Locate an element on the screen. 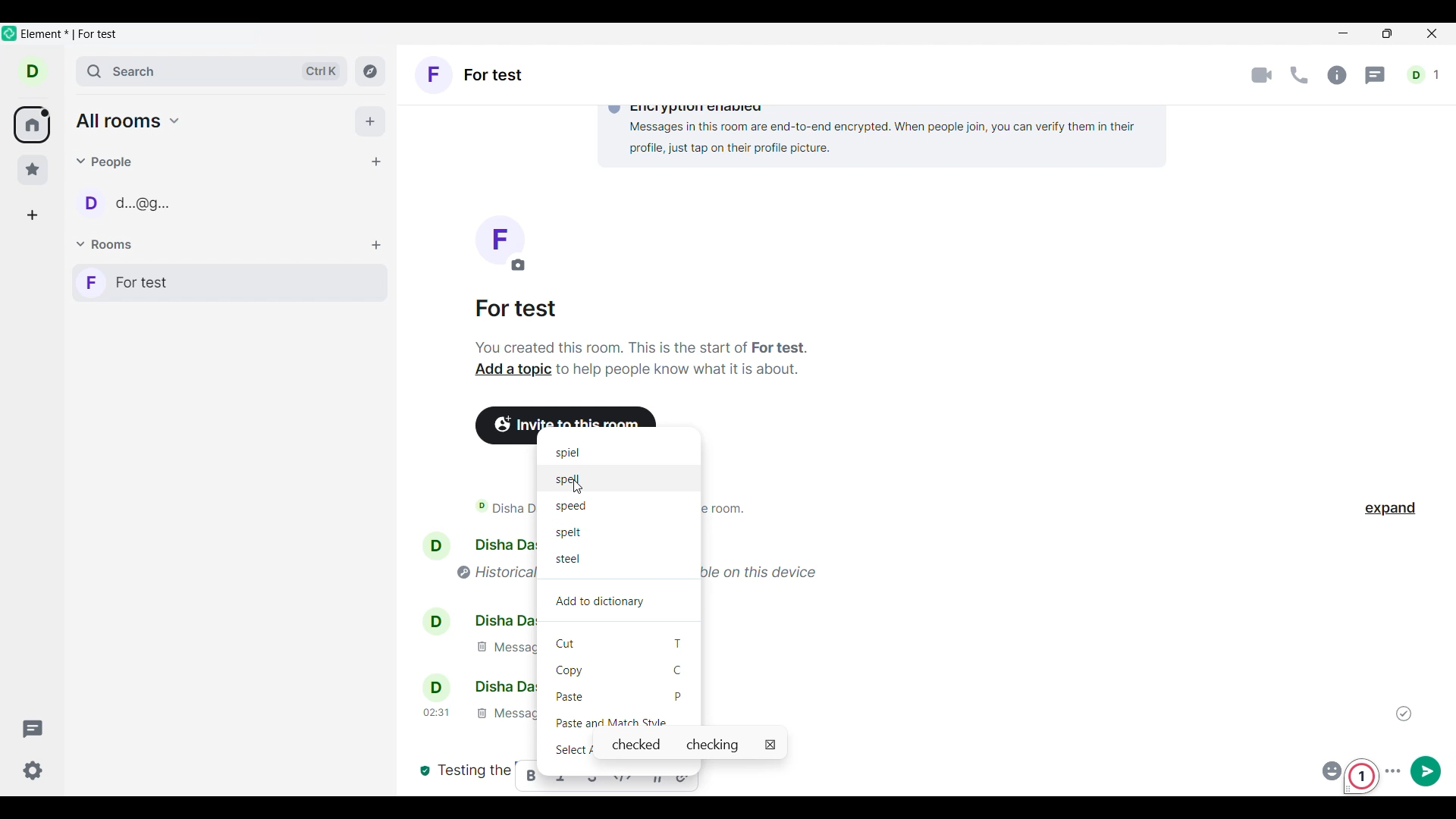 The width and height of the screenshot is (1456, 819). message deleted is located at coordinates (477, 714).